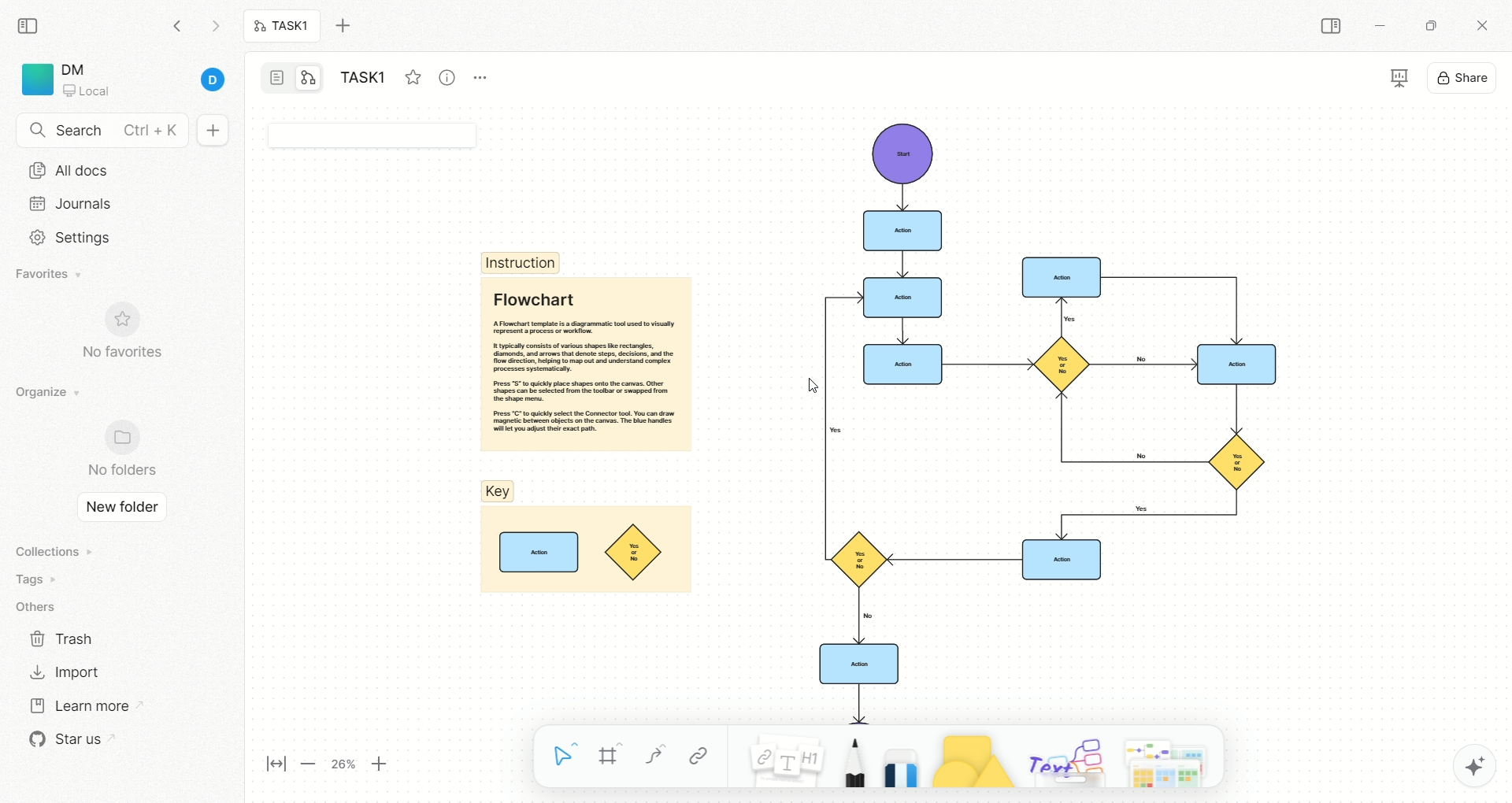 Image resolution: width=1512 pixels, height=803 pixels. What do you see at coordinates (115, 450) in the screenshot?
I see `no folder` at bounding box center [115, 450].